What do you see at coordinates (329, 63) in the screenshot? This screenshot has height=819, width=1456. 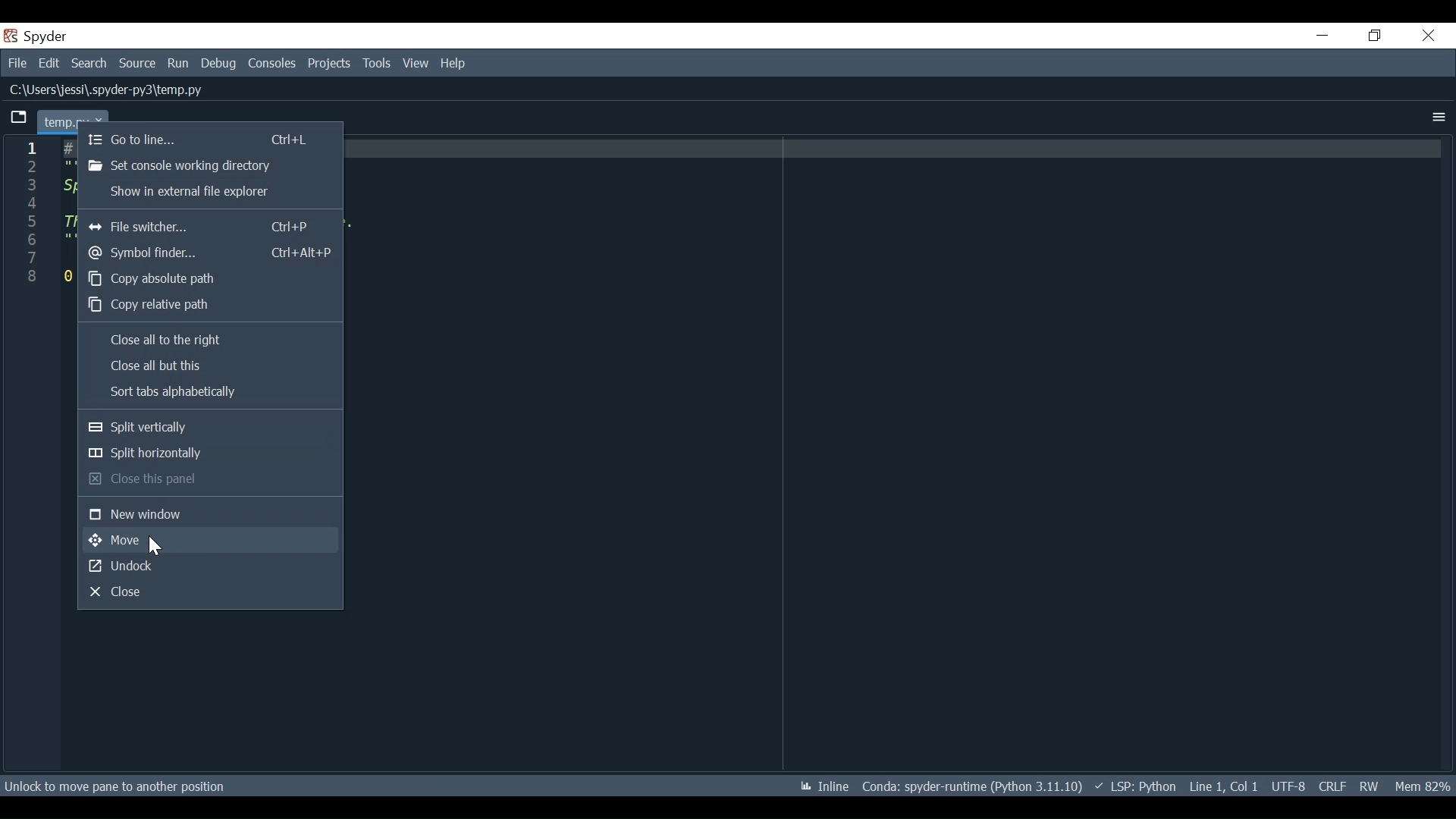 I see `Projects` at bounding box center [329, 63].